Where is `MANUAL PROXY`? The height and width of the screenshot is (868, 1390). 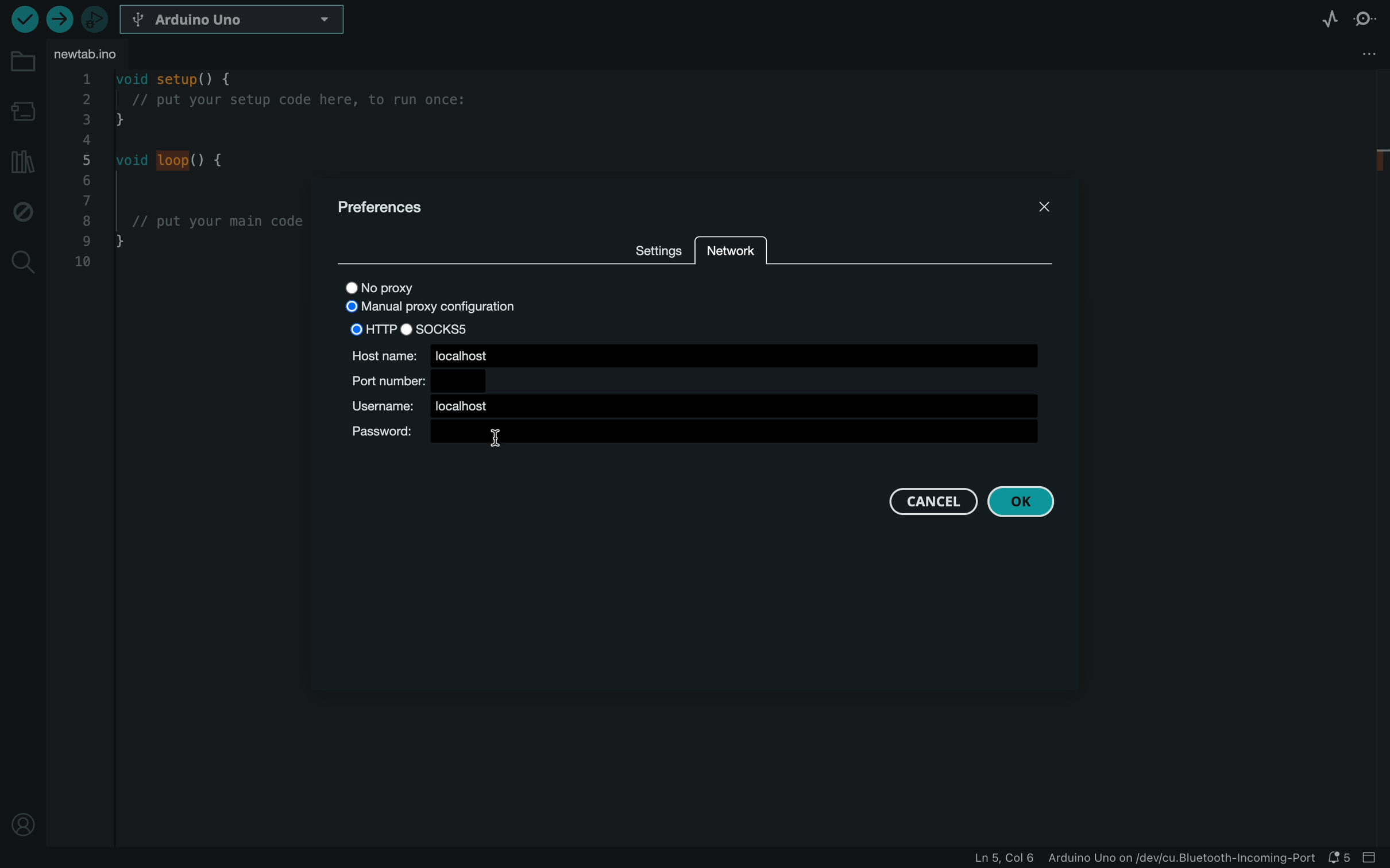 MANUAL PROXY is located at coordinates (428, 308).